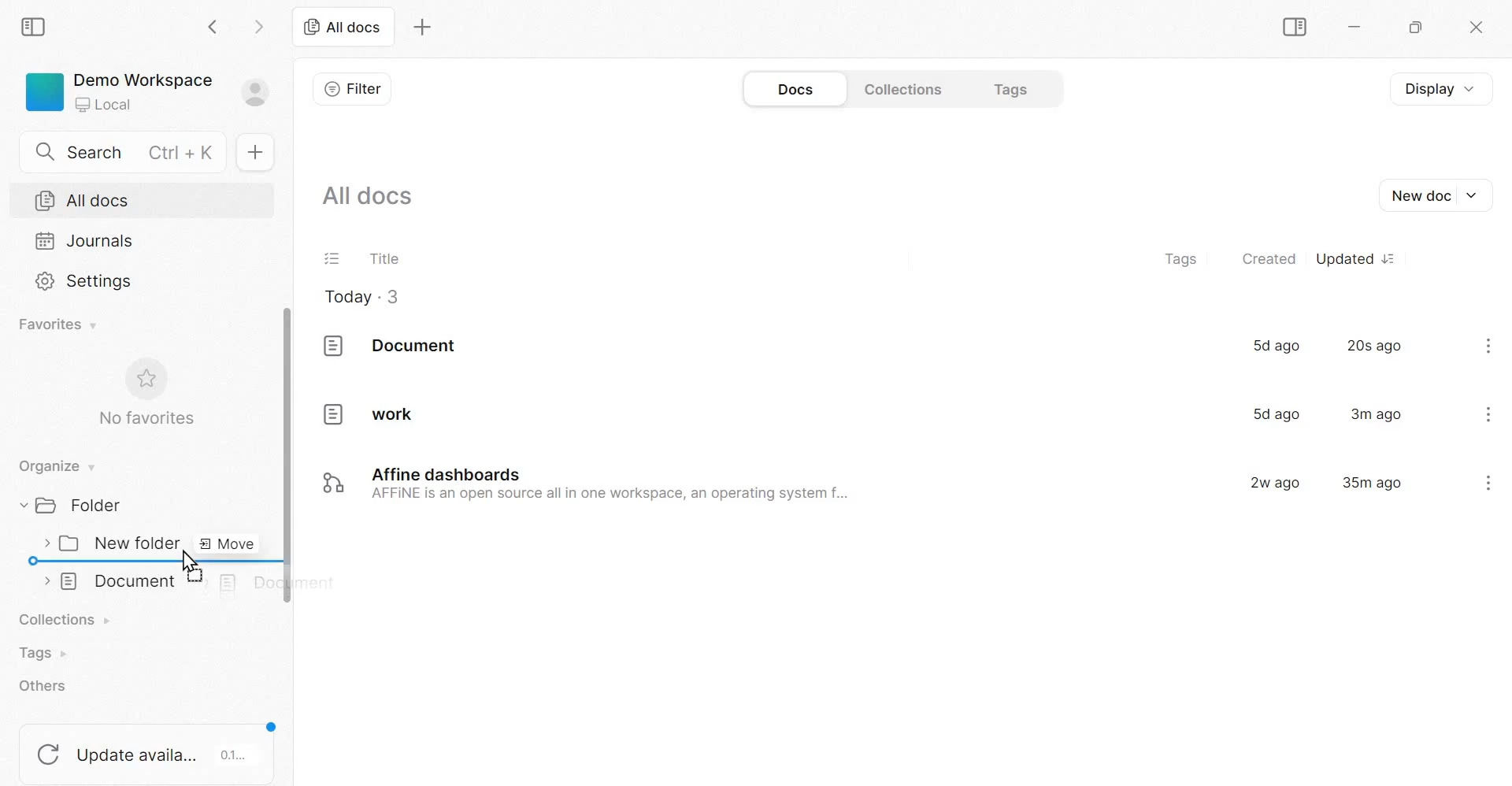 This screenshot has width=1512, height=786. Describe the element at coordinates (422, 26) in the screenshot. I see `New tab` at that location.